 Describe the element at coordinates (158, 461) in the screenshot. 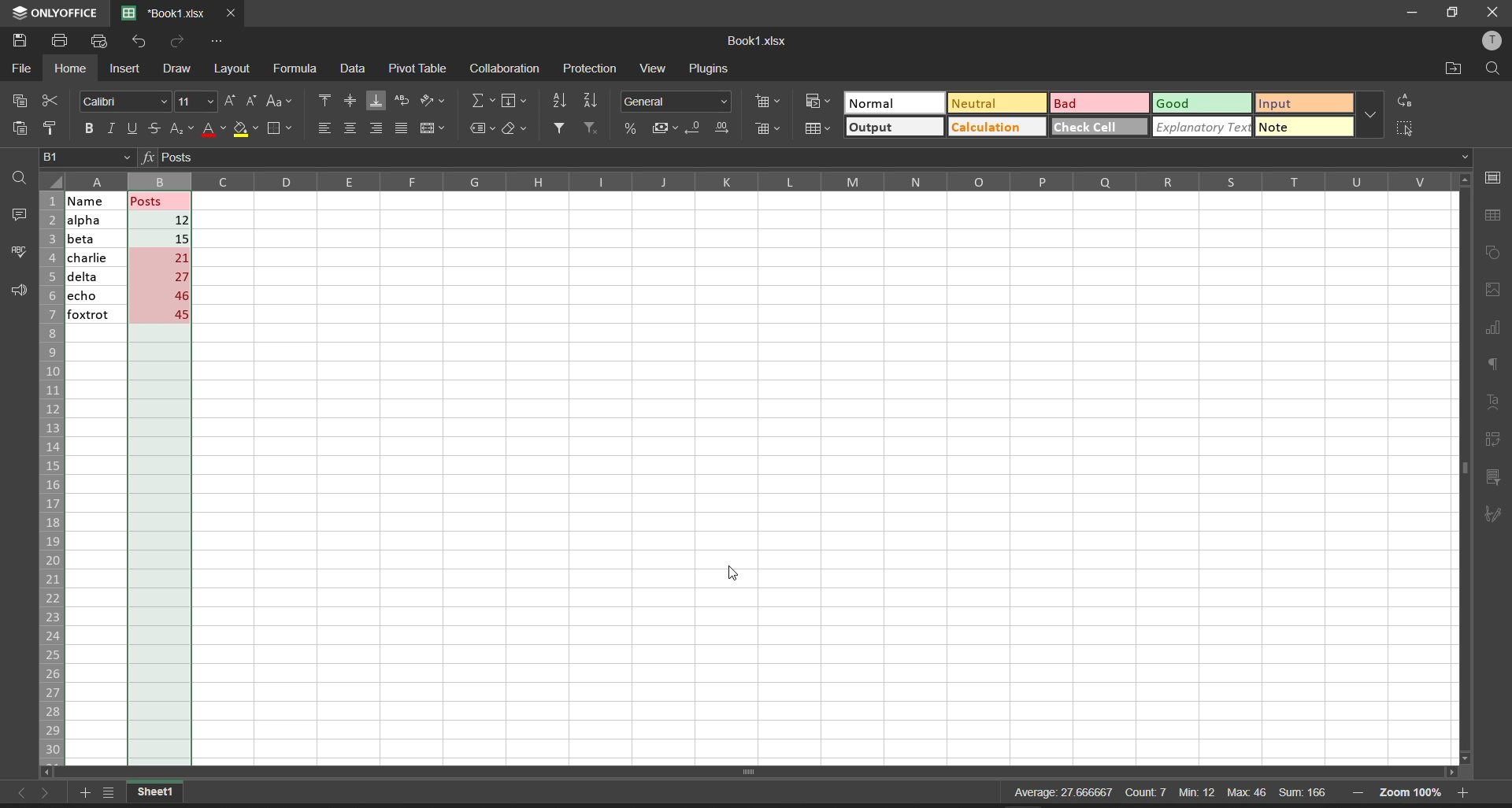

I see `posts` at that location.